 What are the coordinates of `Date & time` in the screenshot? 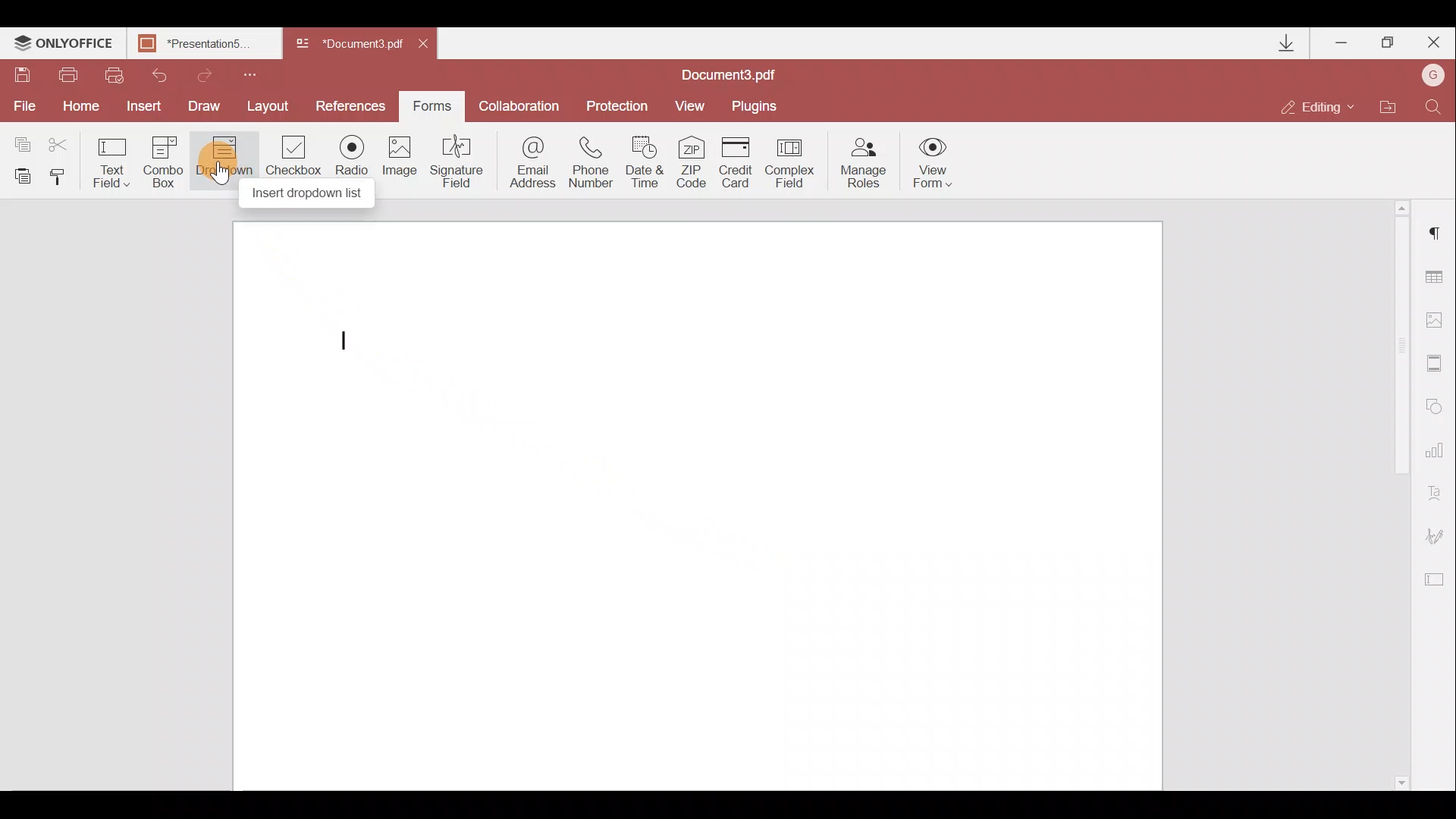 It's located at (648, 162).